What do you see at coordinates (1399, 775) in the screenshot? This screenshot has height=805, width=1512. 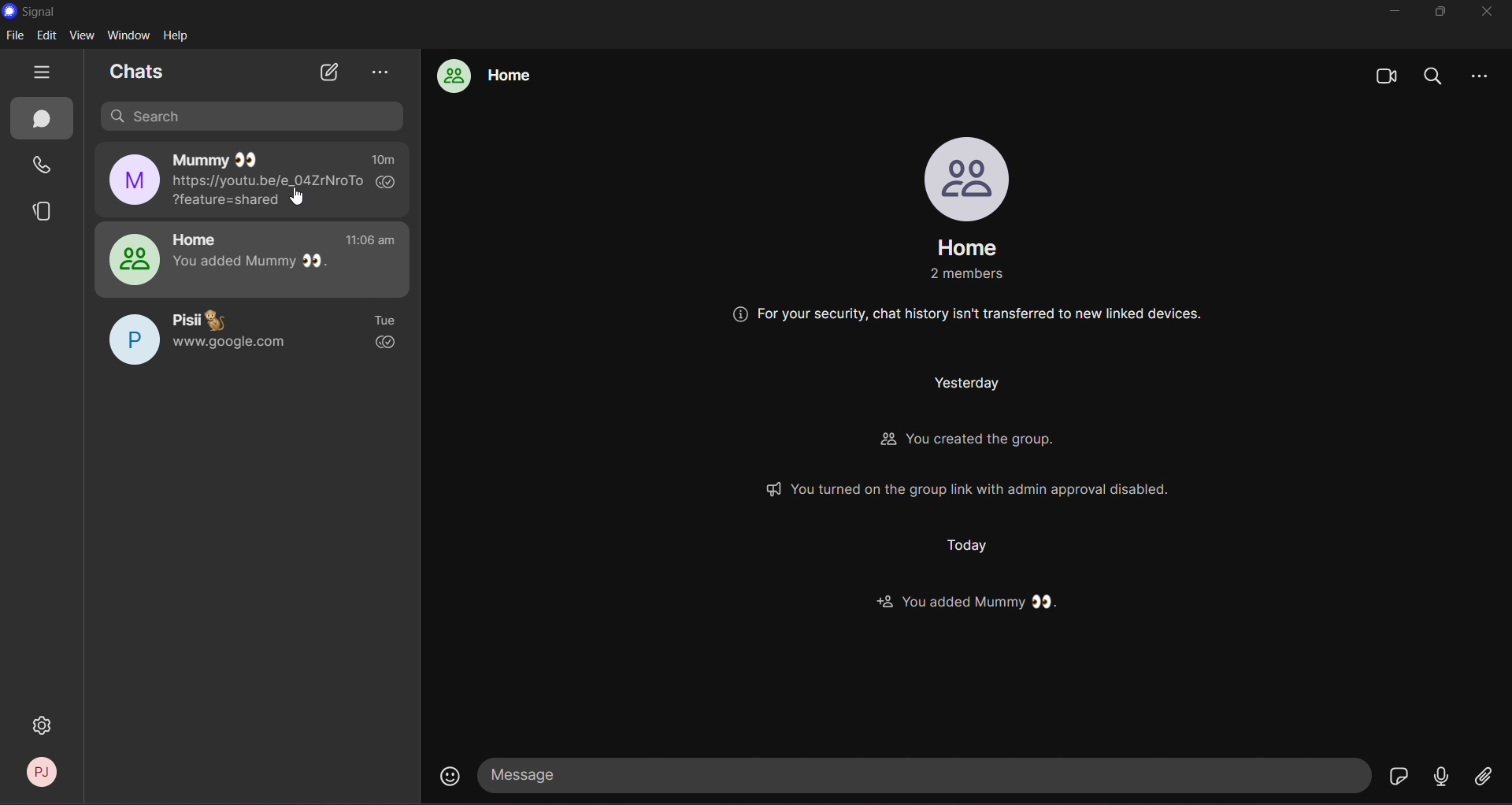 I see `sticker` at bounding box center [1399, 775].